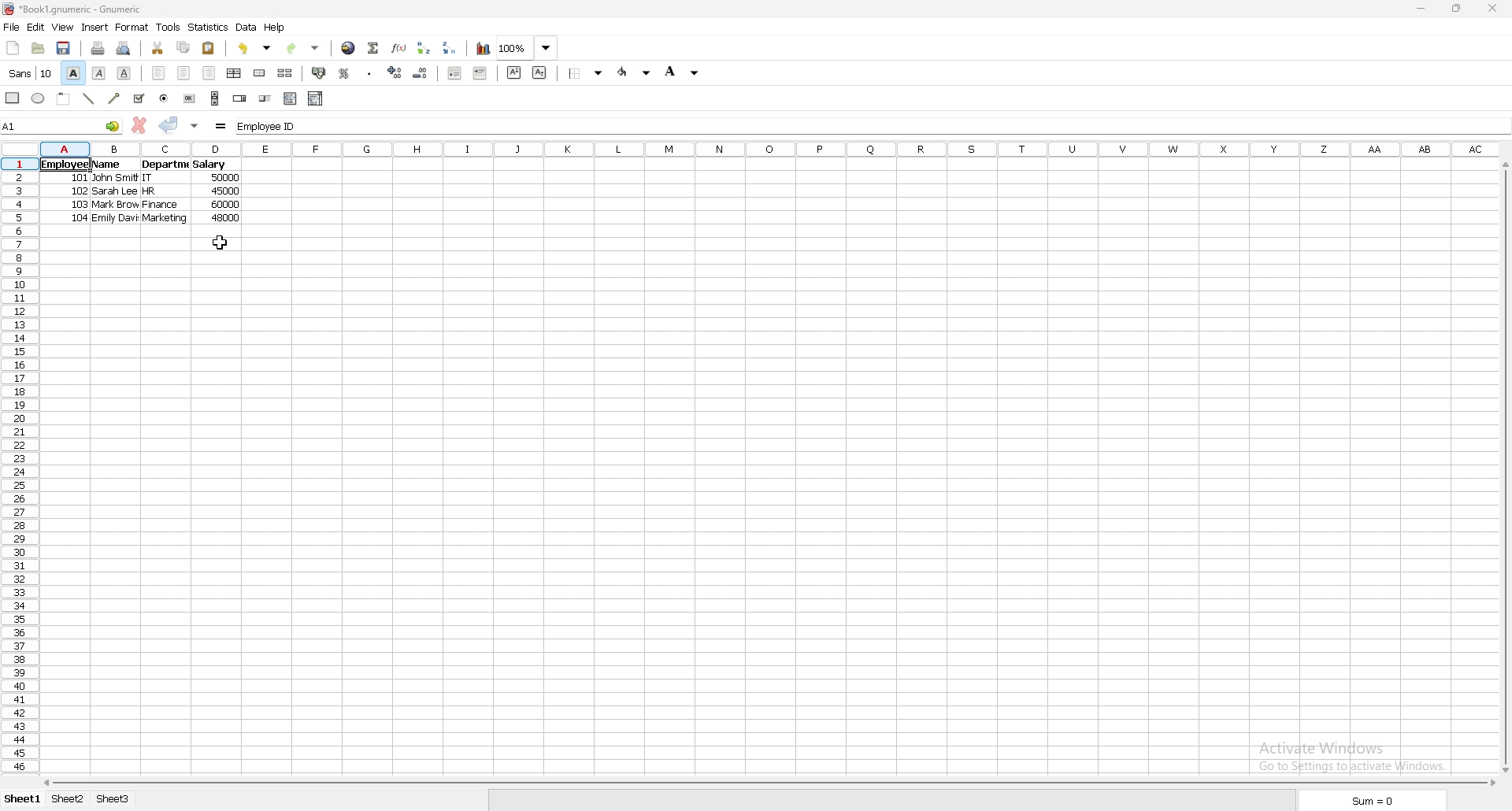 This screenshot has height=811, width=1512. I want to click on function, so click(399, 47).